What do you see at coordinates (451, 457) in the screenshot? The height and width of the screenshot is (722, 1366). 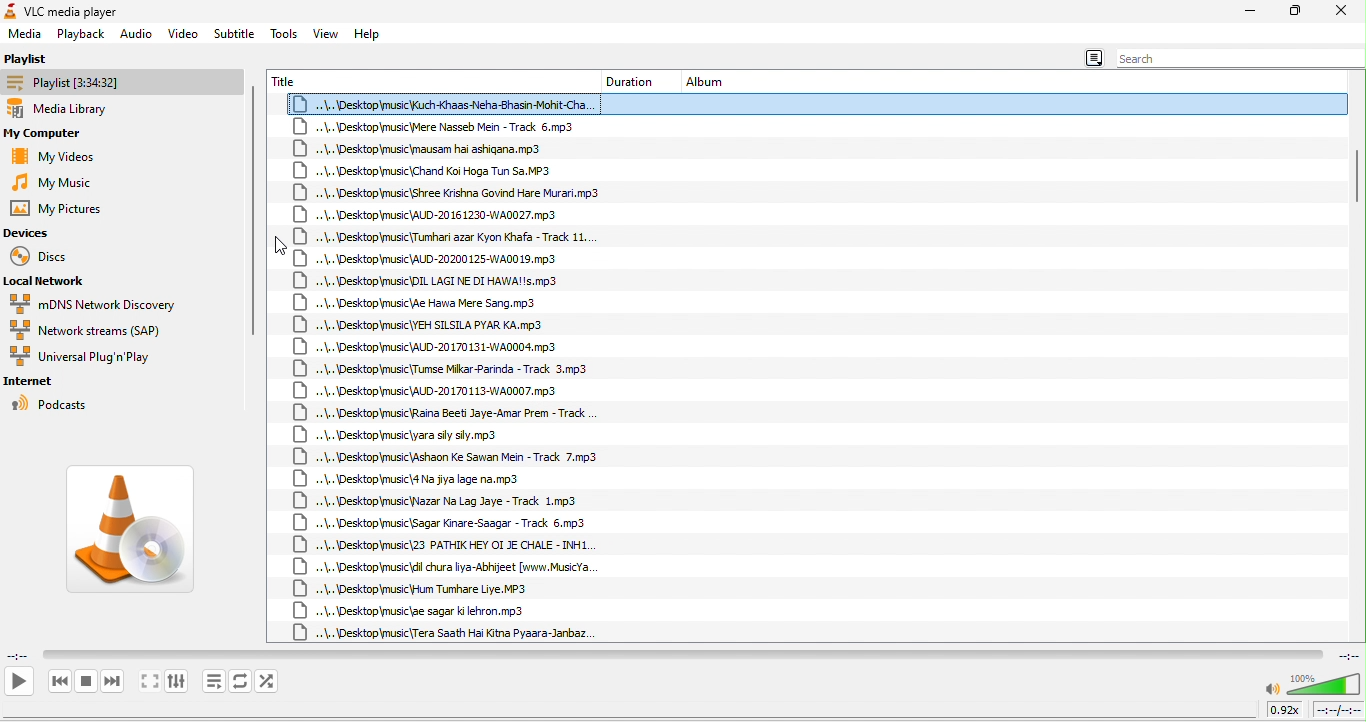 I see `..\..\Desktop\music\Ashaon Ke Sawan Mein - Track 7.mp3` at bounding box center [451, 457].